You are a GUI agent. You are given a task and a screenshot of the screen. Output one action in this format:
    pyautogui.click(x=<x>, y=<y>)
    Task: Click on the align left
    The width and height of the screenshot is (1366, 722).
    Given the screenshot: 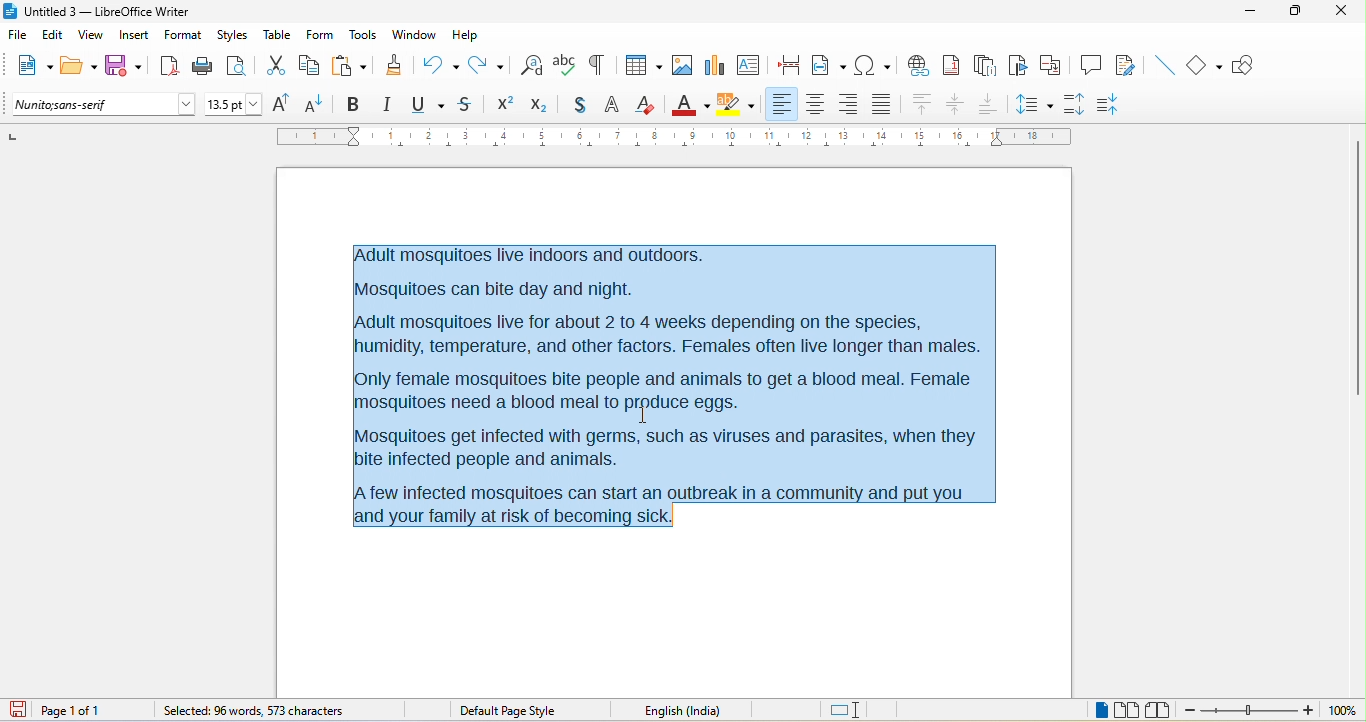 What is the action you would take?
    pyautogui.click(x=783, y=104)
    